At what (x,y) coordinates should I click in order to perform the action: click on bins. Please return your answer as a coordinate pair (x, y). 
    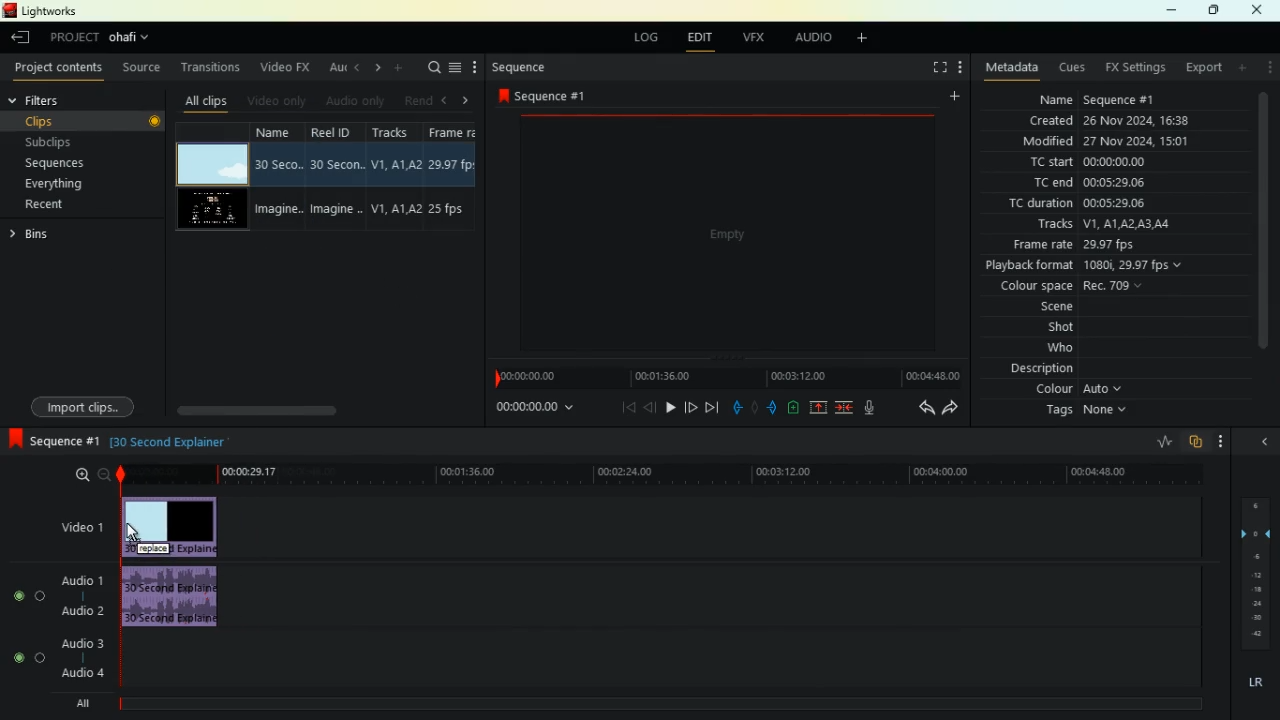
    Looking at the image, I should click on (64, 235).